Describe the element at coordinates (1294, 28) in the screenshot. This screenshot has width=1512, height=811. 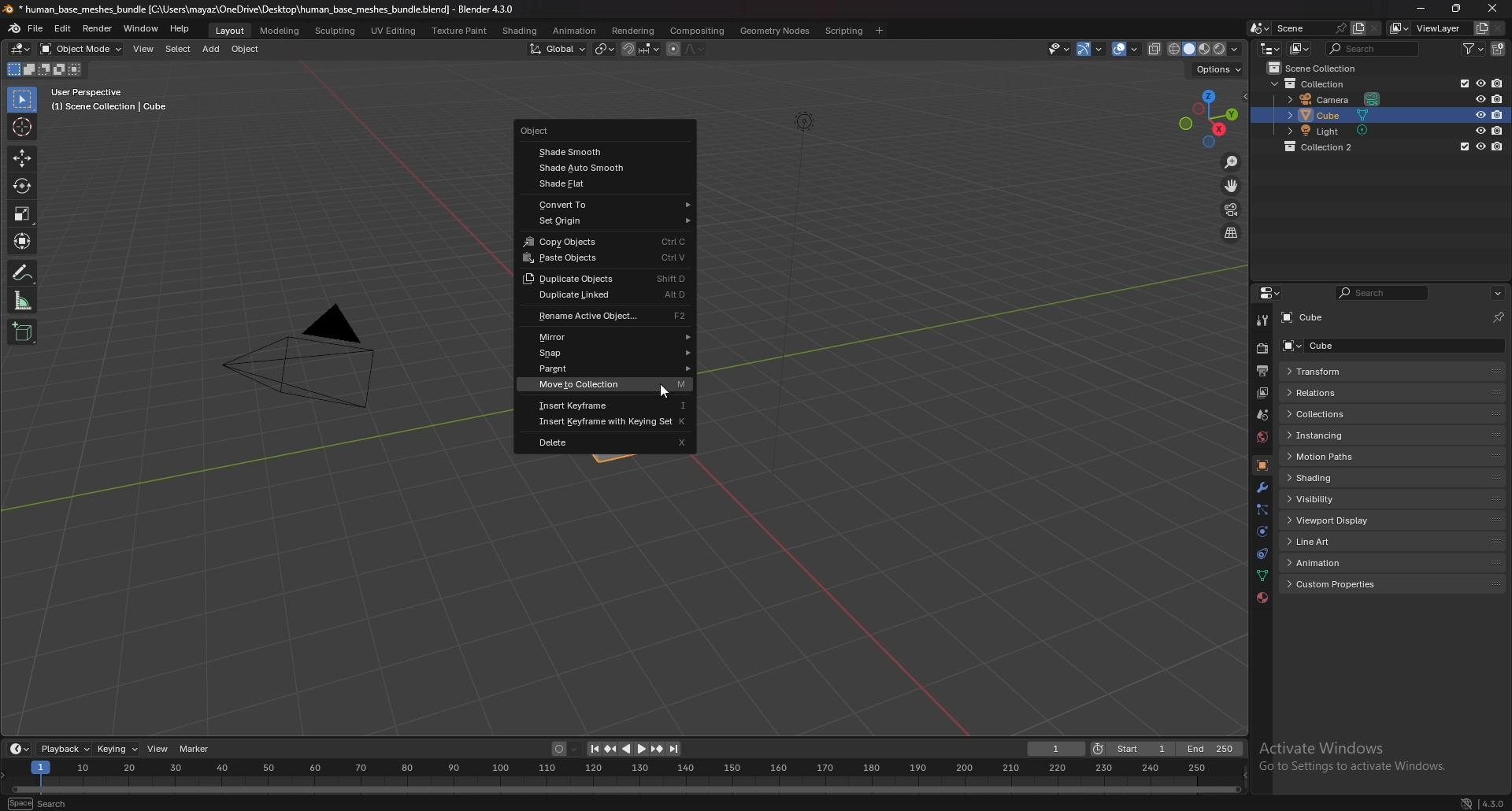
I see `scene` at that location.